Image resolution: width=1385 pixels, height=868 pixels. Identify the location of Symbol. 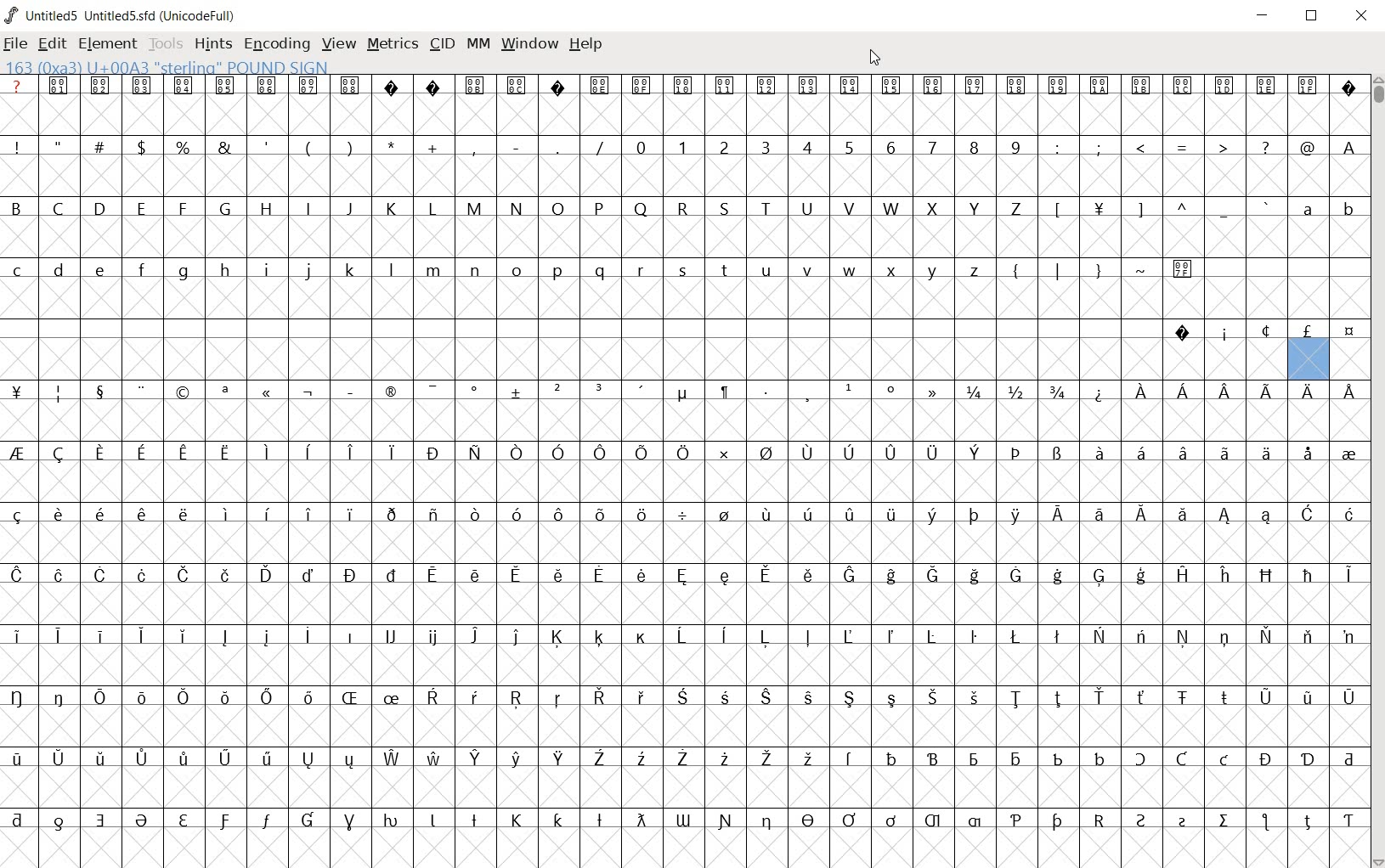
(1267, 635).